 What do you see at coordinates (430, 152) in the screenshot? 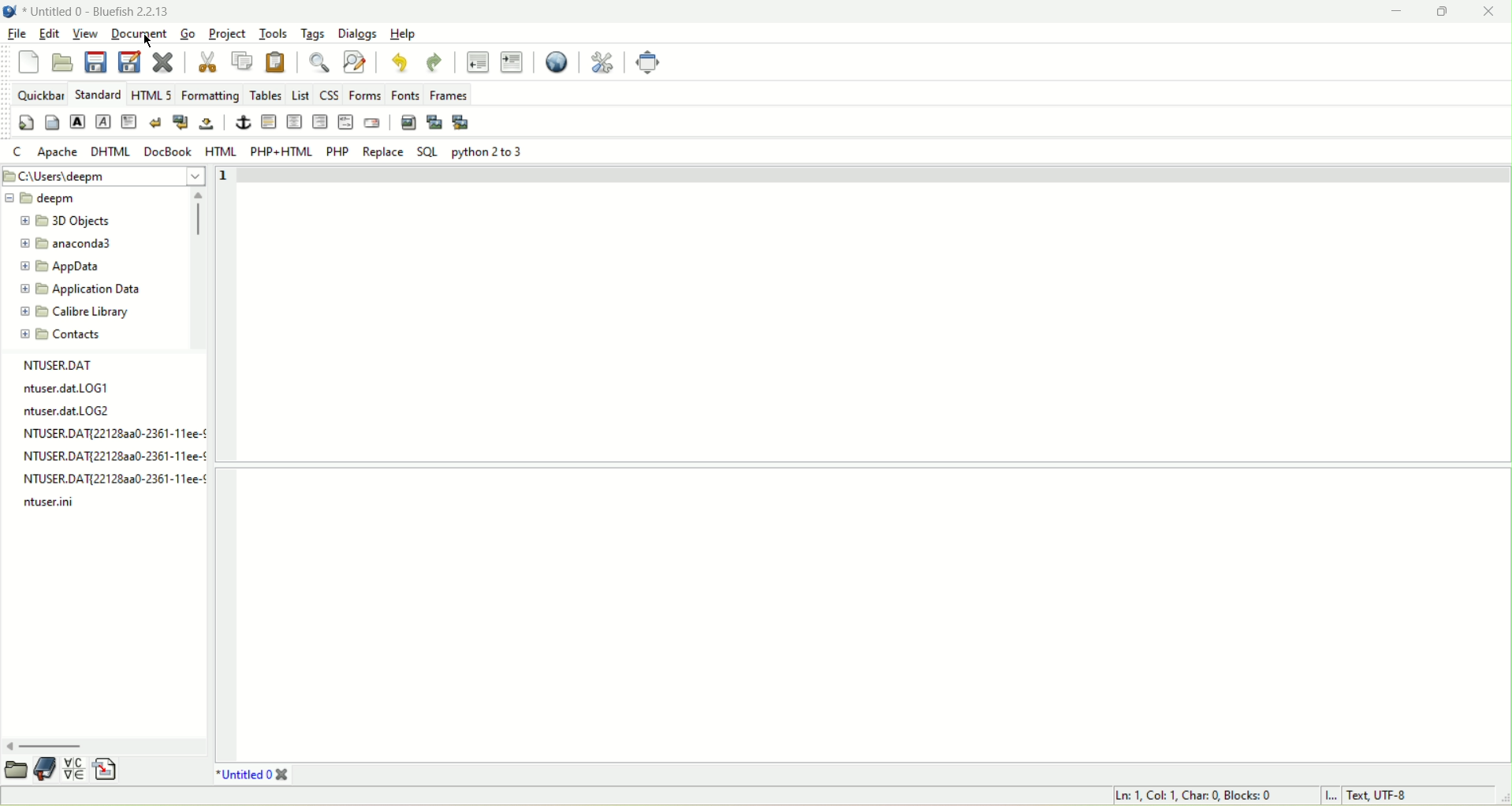
I see `SQL` at bounding box center [430, 152].